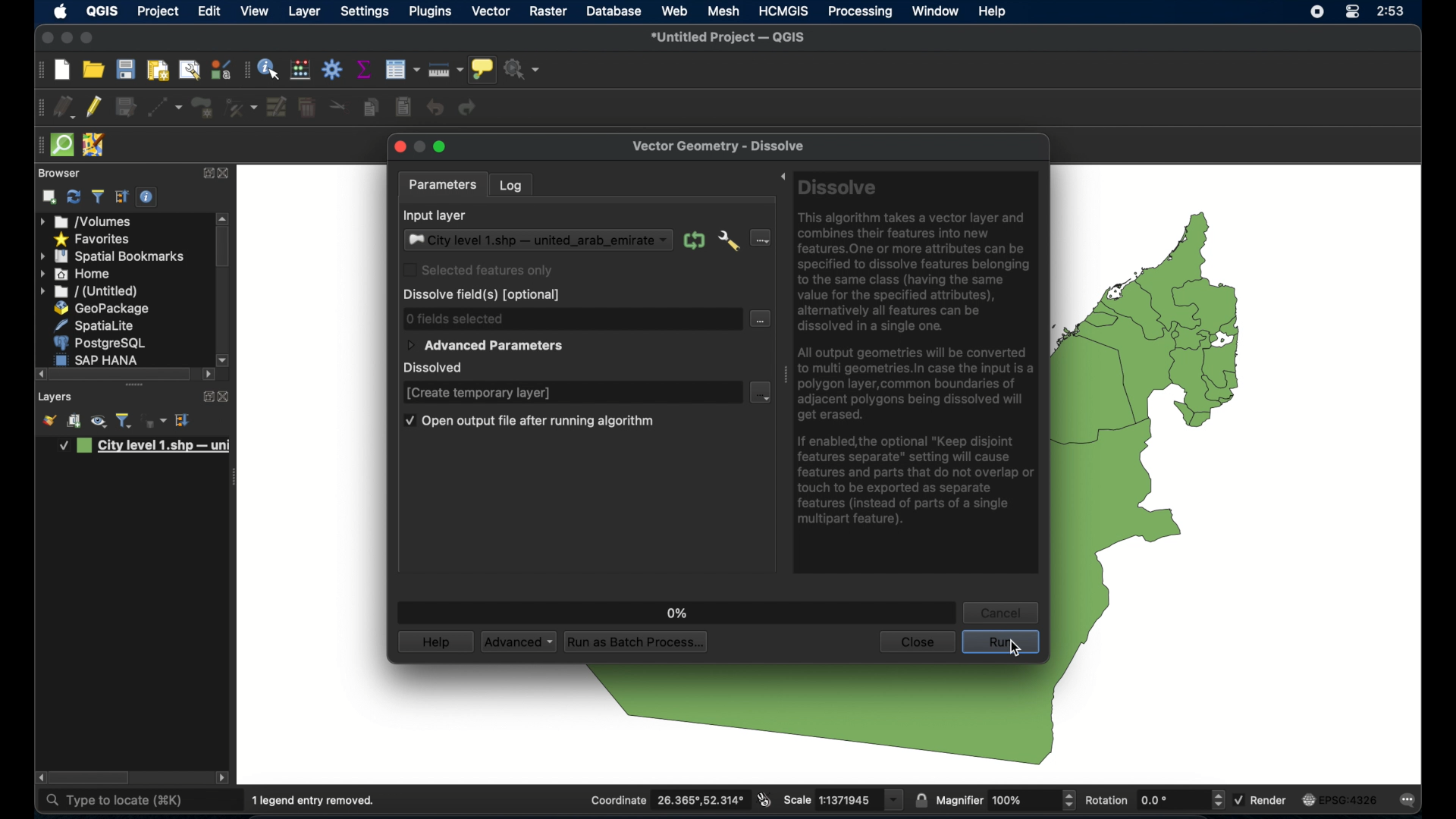 Image resolution: width=1456 pixels, height=819 pixels. What do you see at coordinates (435, 108) in the screenshot?
I see `undo` at bounding box center [435, 108].